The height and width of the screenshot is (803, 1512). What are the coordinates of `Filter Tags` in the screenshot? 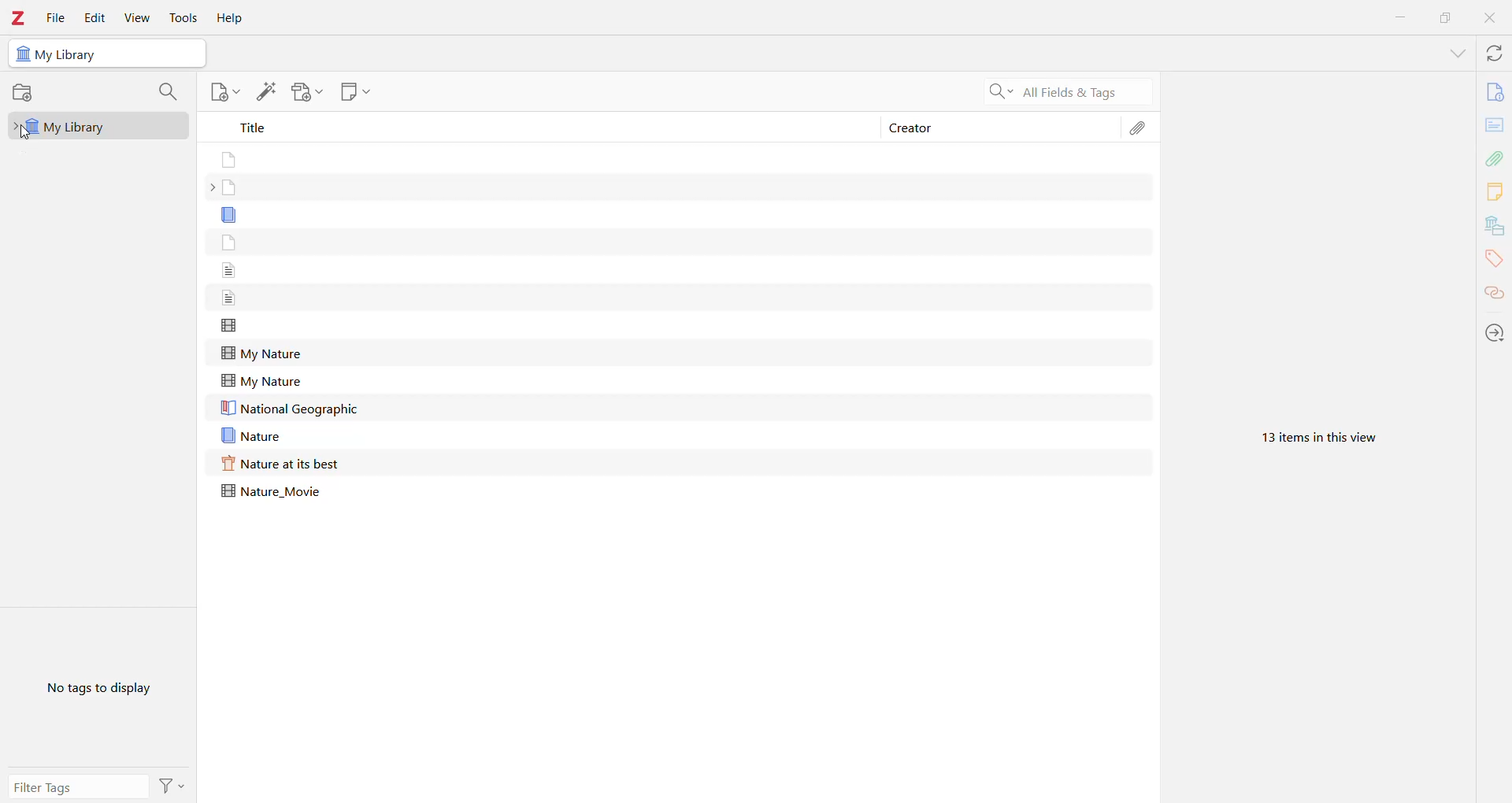 It's located at (80, 787).